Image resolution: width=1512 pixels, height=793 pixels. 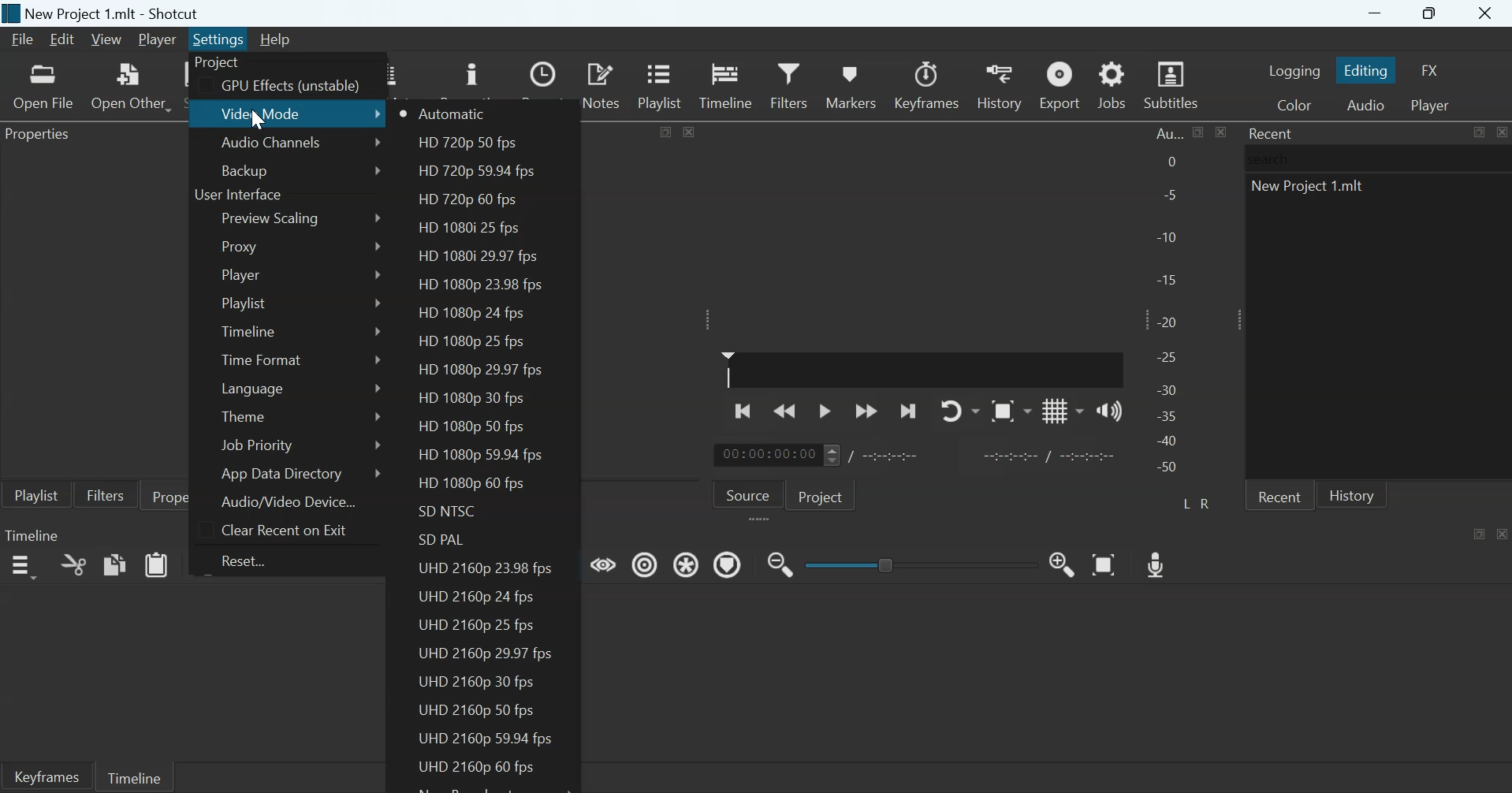 I want to click on UHD 2160p 25 fps, so click(x=477, y=626).